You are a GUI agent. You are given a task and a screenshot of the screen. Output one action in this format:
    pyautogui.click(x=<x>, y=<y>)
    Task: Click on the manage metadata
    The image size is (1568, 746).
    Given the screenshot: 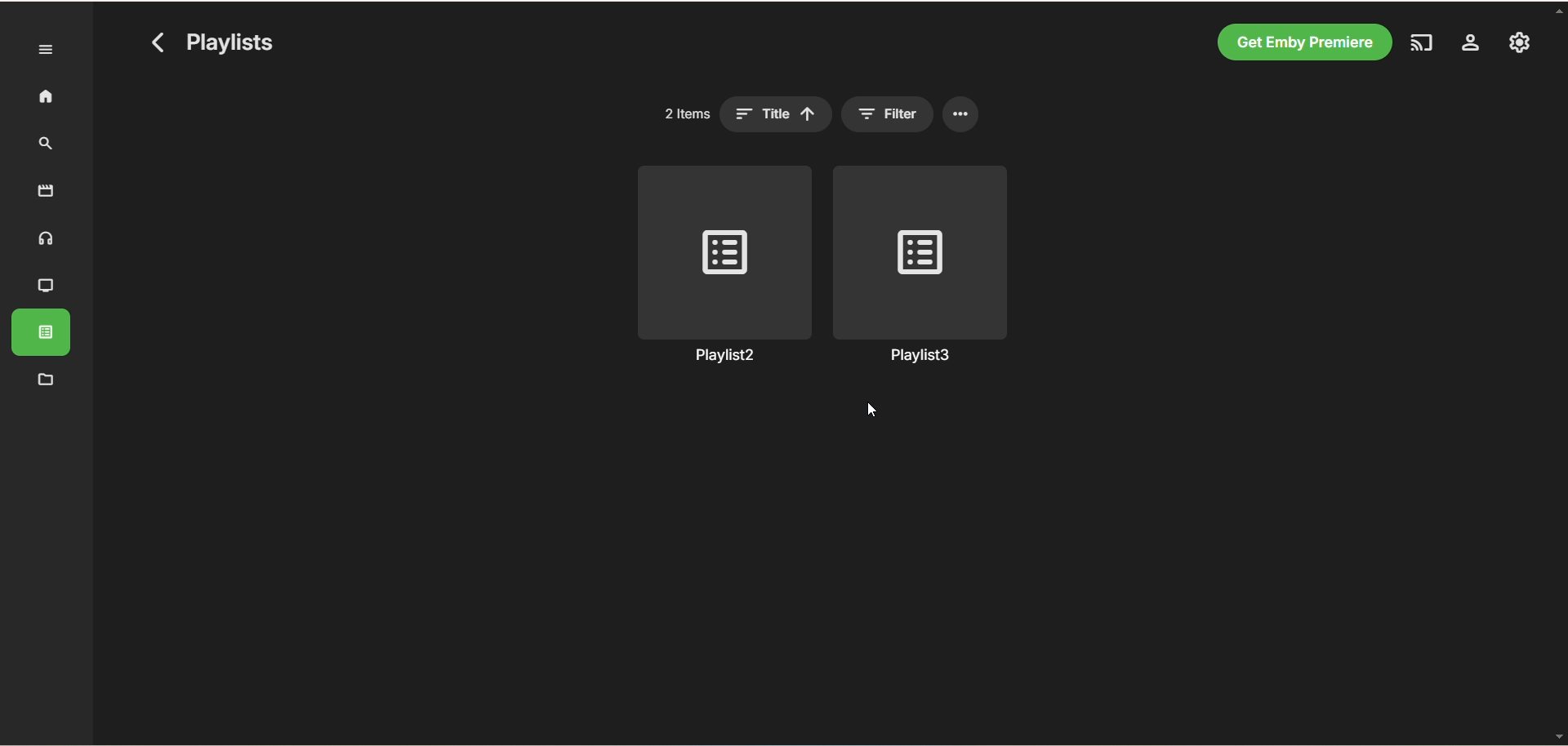 What is the action you would take?
    pyautogui.click(x=46, y=379)
    